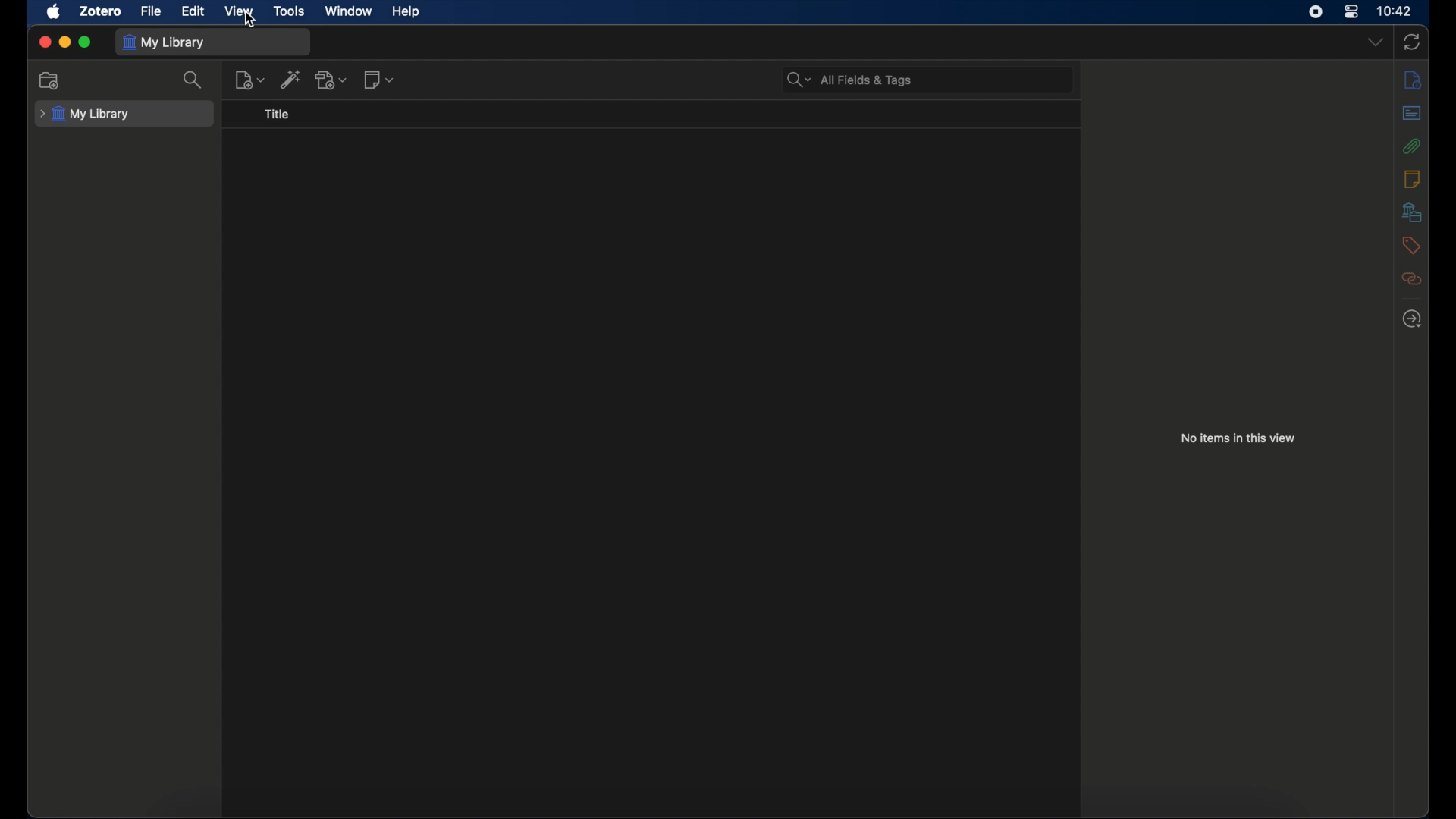  I want to click on my library, so click(167, 42).